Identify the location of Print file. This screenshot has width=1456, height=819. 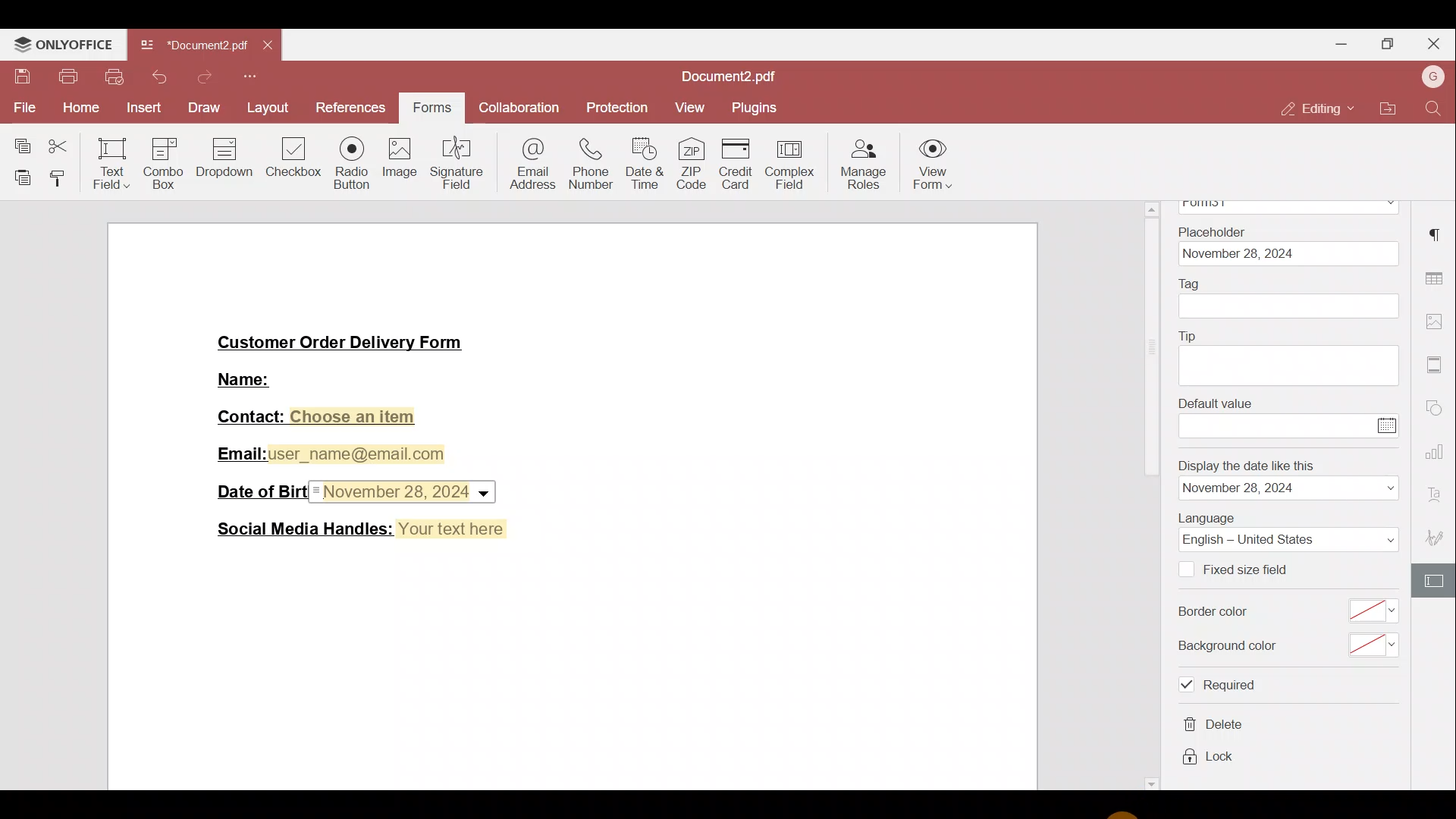
(63, 77).